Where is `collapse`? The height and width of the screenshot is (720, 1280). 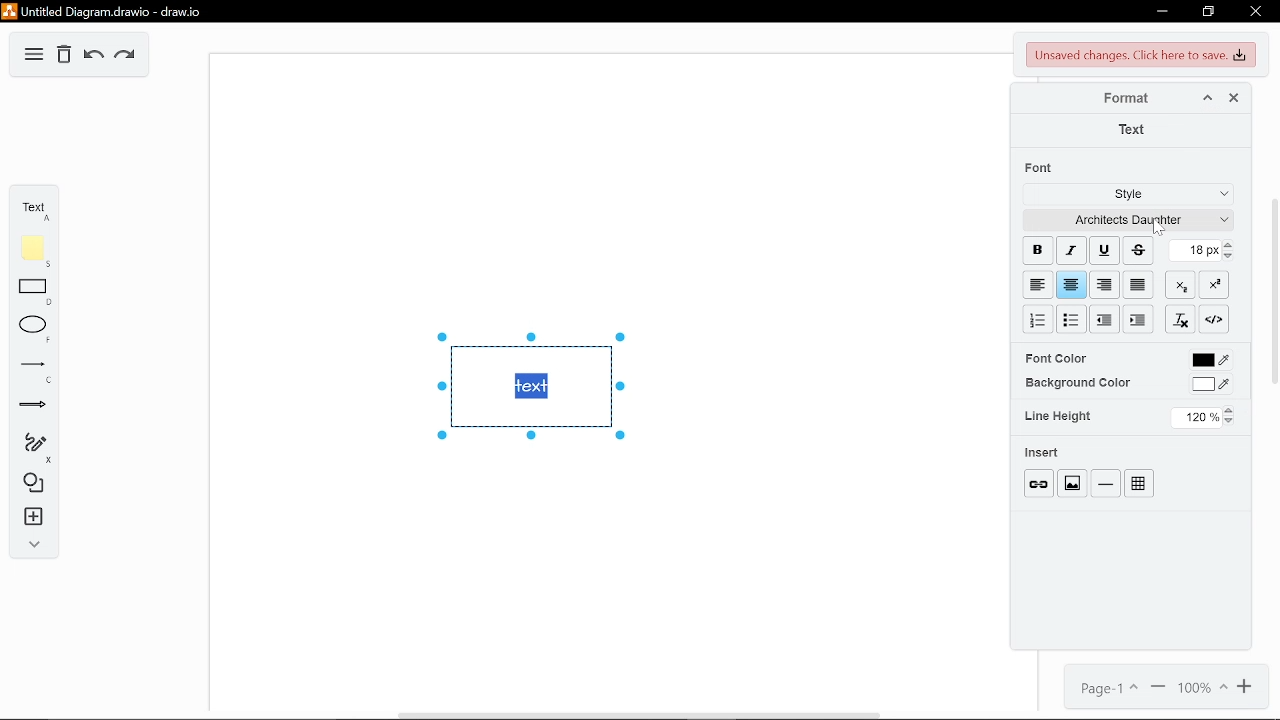
collapse is located at coordinates (1206, 99).